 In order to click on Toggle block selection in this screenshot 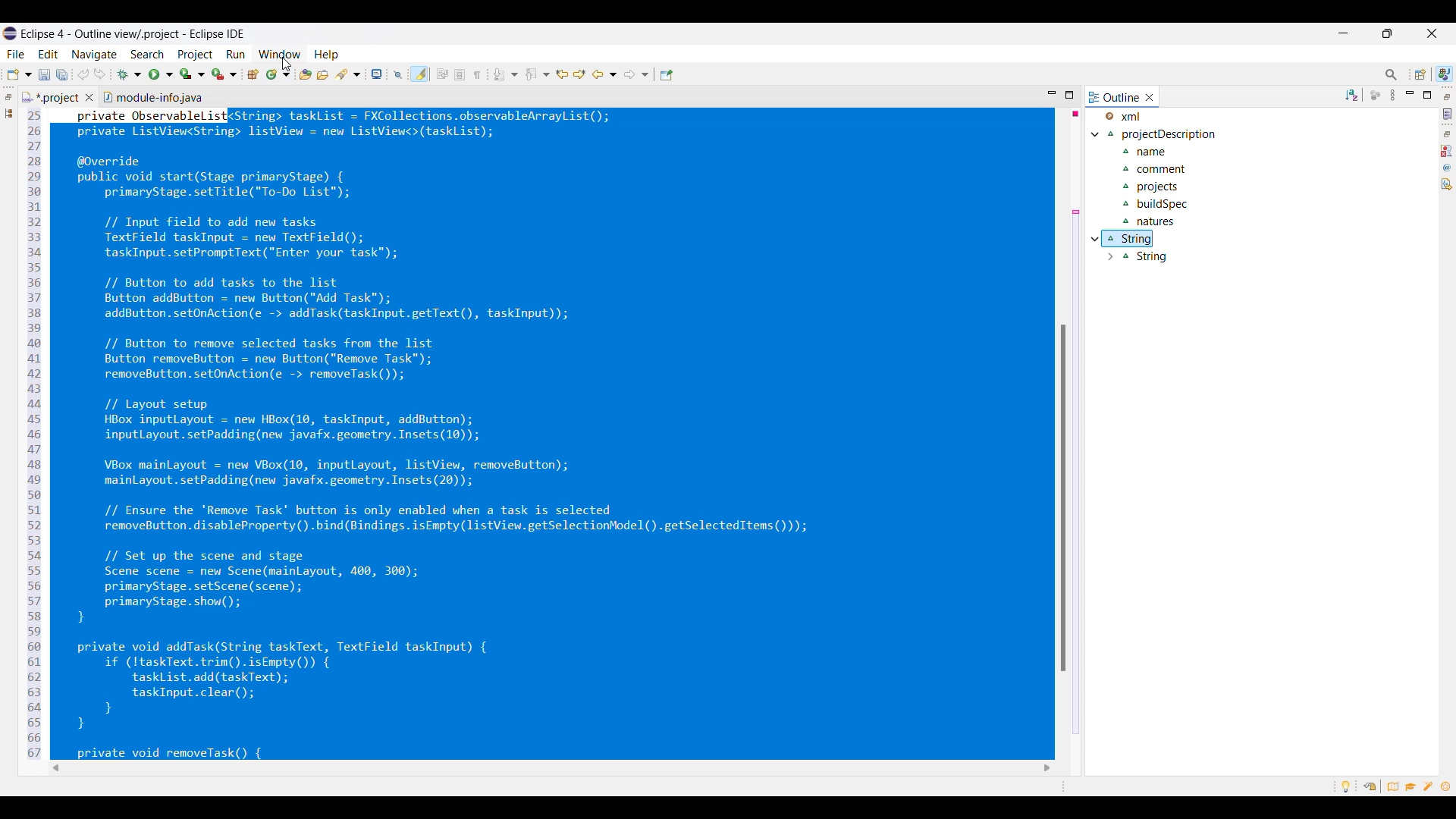, I will do `click(460, 74)`.